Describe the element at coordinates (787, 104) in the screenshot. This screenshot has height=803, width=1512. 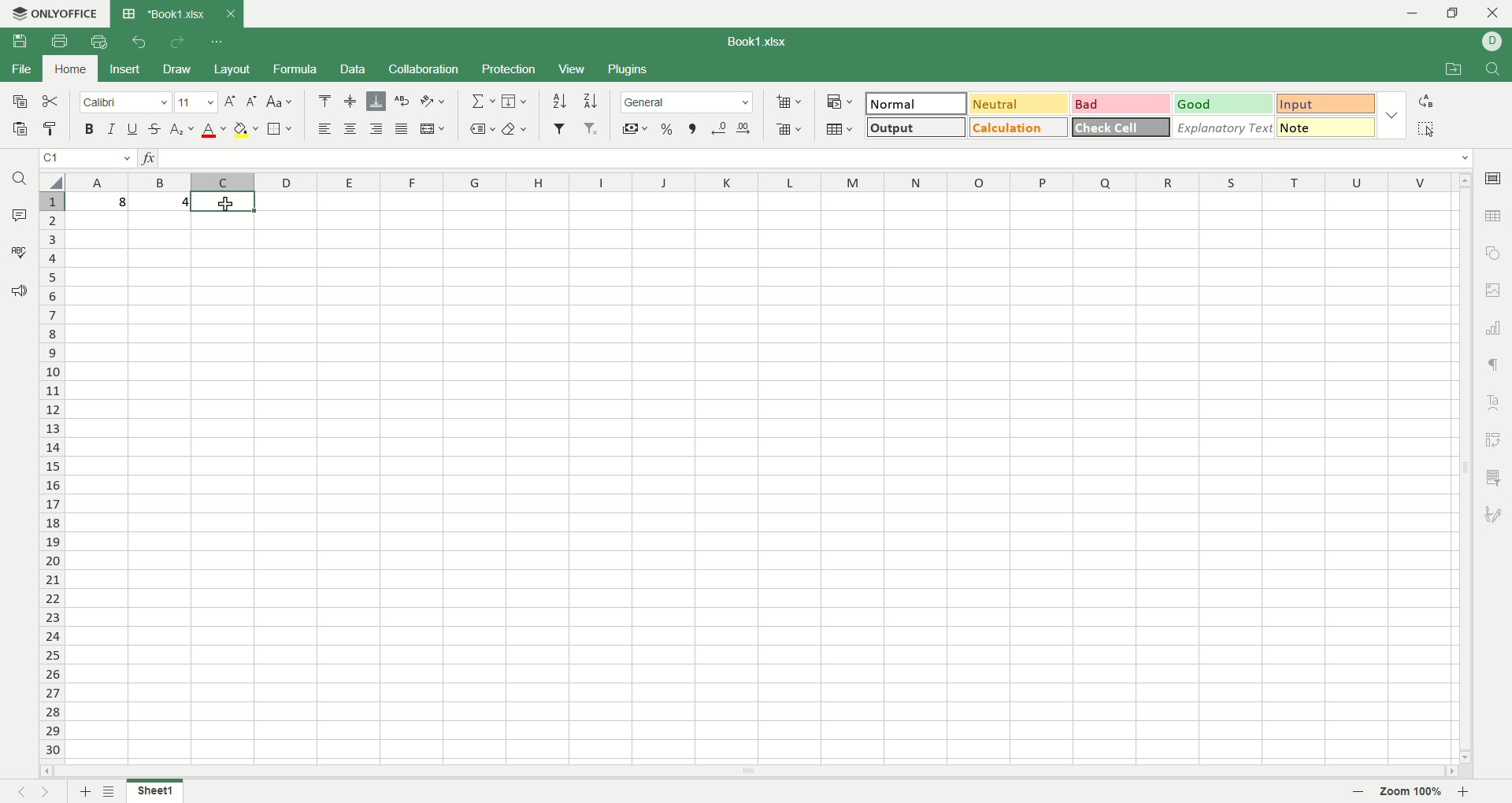
I see `insert cell` at that location.